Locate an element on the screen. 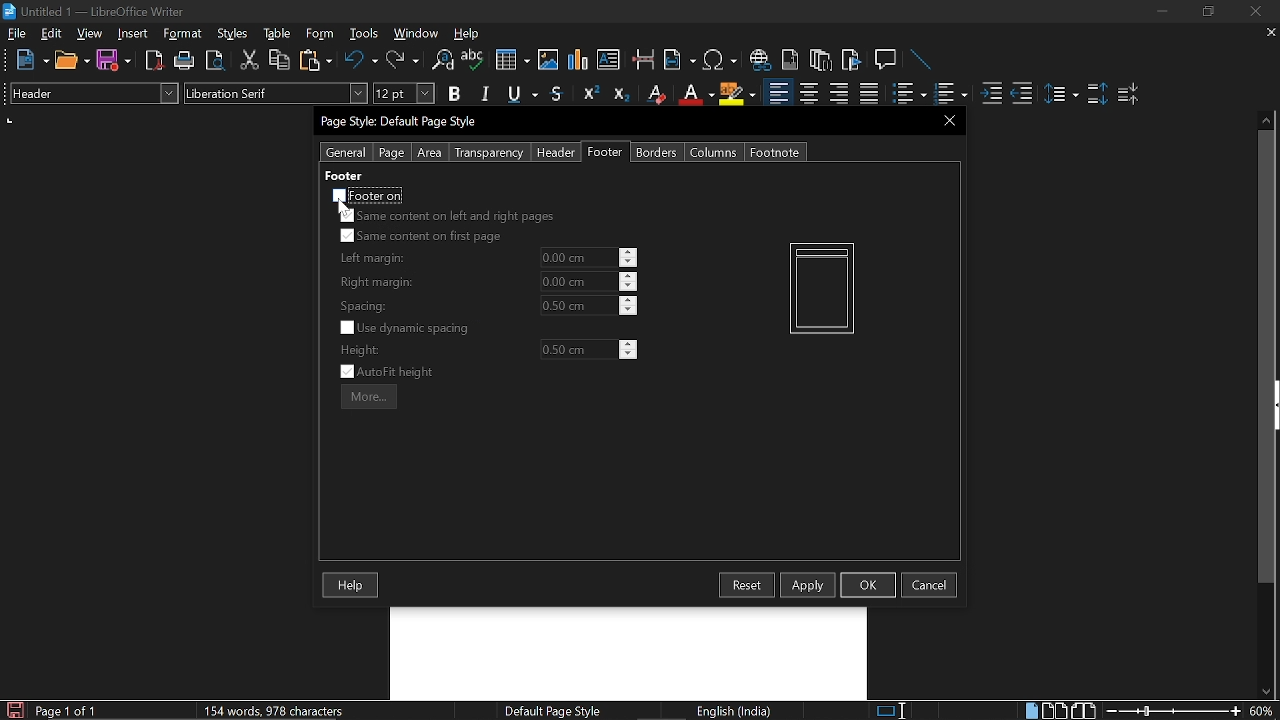  increase right margin is located at coordinates (629, 276).